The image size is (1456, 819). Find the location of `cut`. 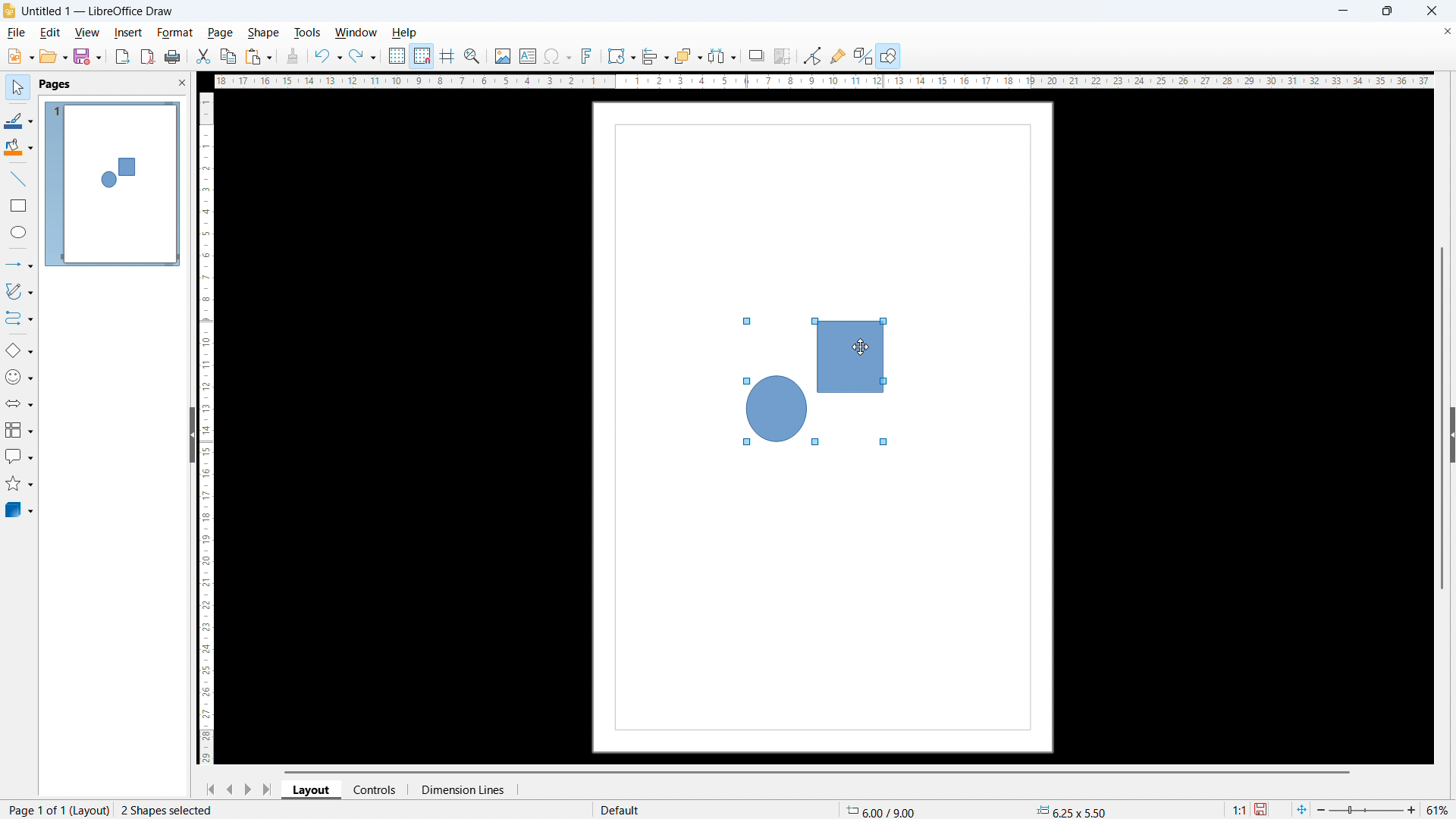

cut is located at coordinates (204, 57).